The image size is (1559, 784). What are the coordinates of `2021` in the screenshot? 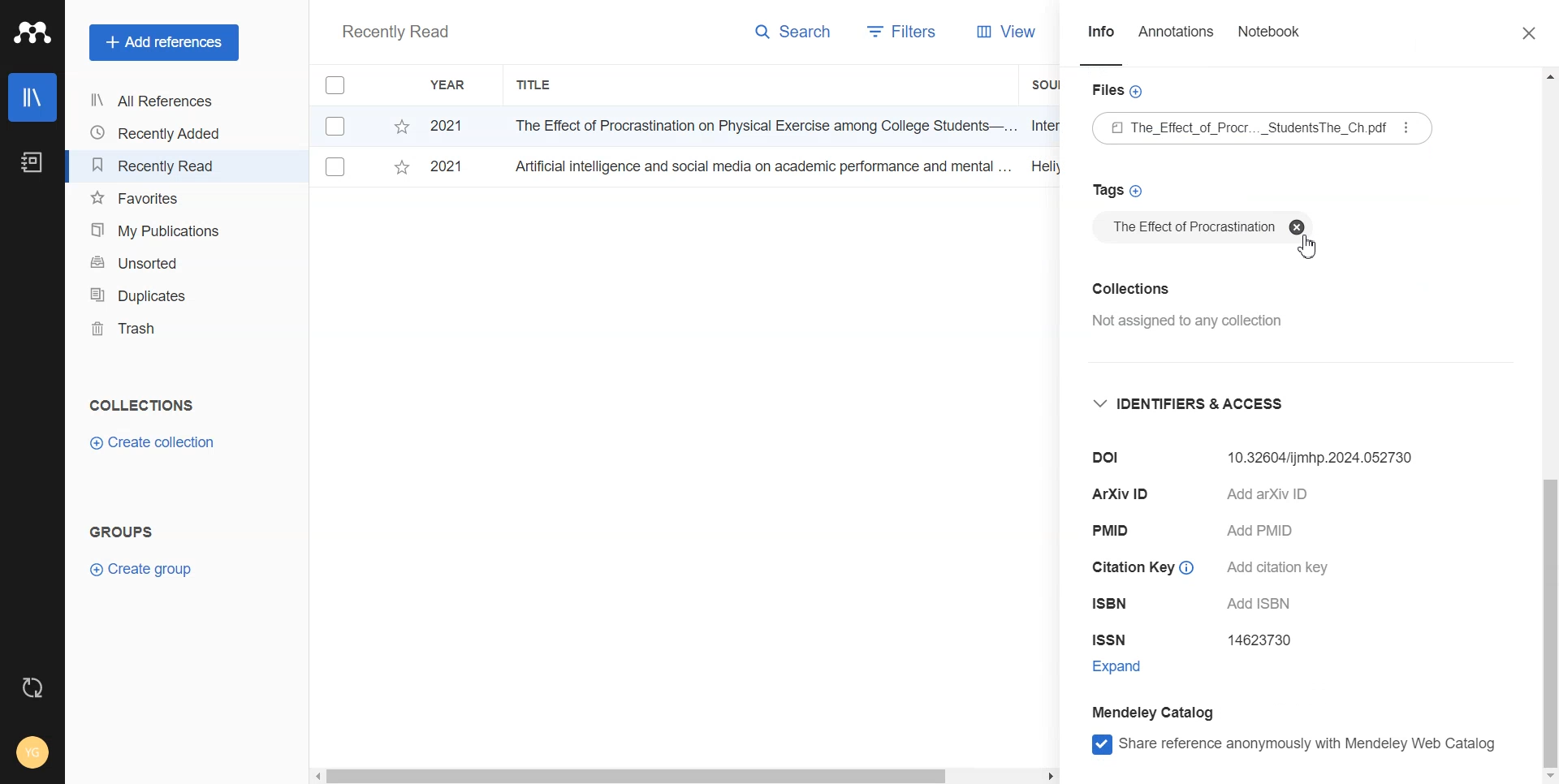 It's located at (446, 165).